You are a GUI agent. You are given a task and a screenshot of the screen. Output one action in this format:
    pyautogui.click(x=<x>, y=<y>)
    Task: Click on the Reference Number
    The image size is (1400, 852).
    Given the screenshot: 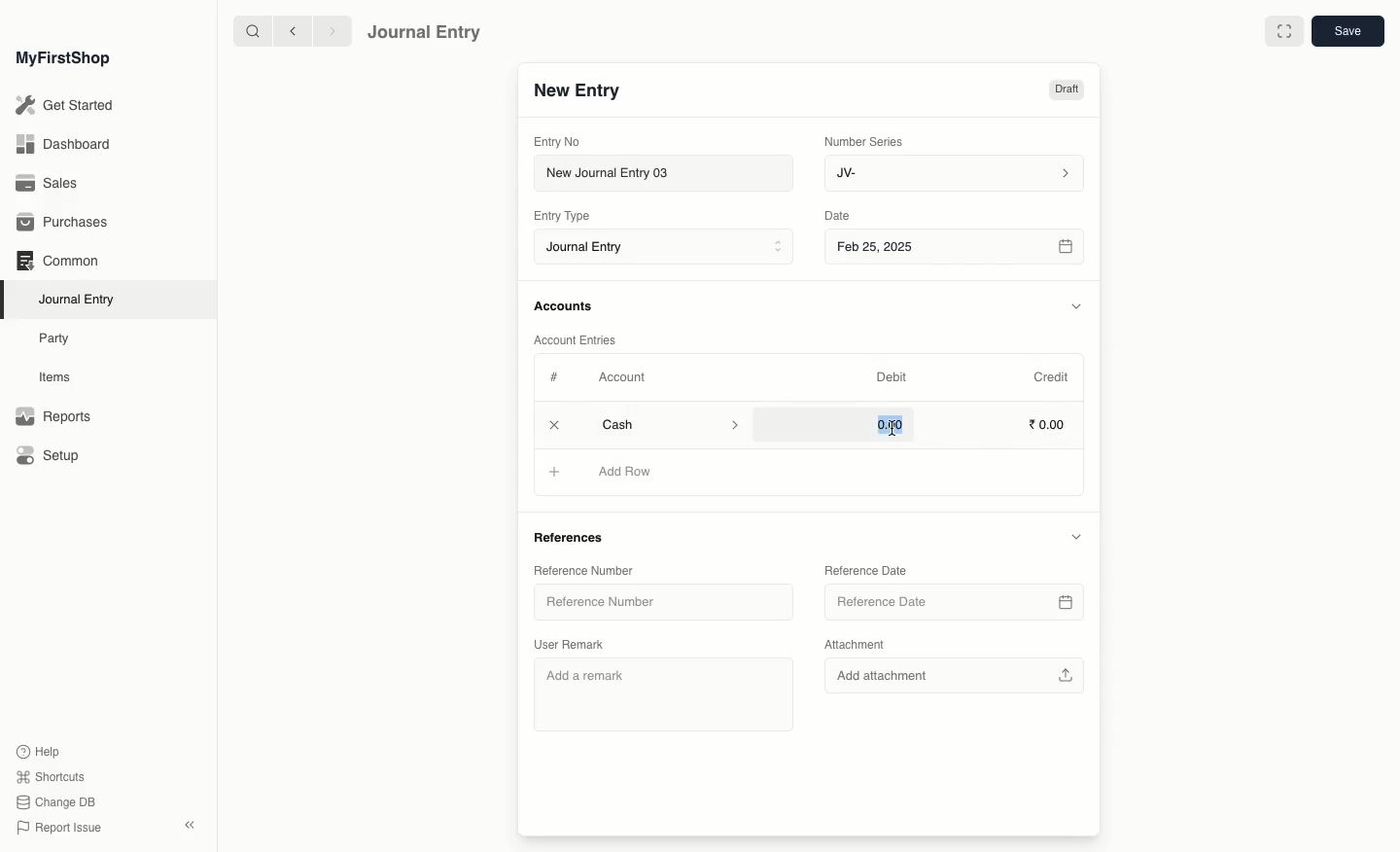 What is the action you would take?
    pyautogui.click(x=585, y=571)
    